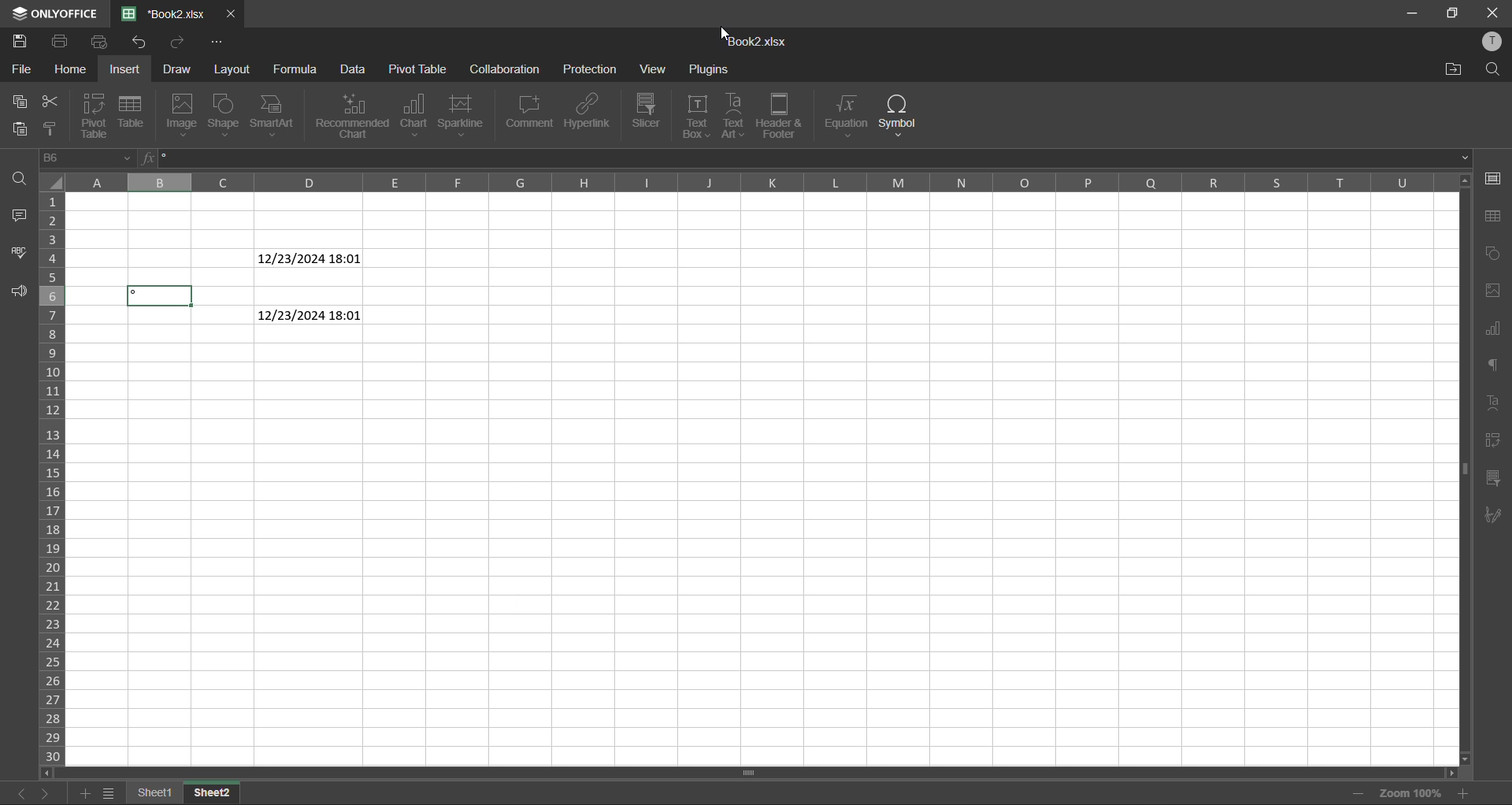 The width and height of the screenshot is (1512, 805). Describe the element at coordinates (142, 43) in the screenshot. I see `redo` at that location.